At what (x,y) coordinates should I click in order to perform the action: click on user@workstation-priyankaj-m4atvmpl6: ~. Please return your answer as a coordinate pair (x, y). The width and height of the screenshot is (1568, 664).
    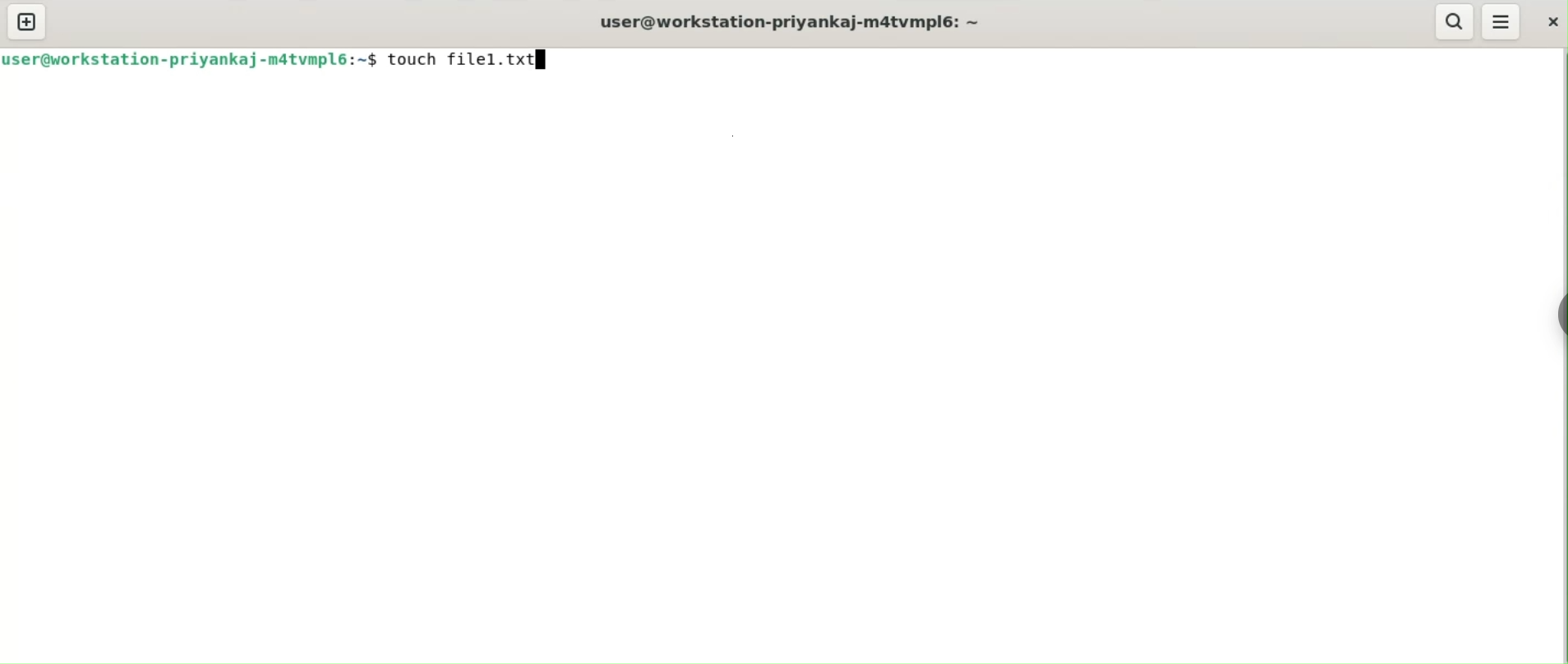
    Looking at the image, I should click on (796, 23).